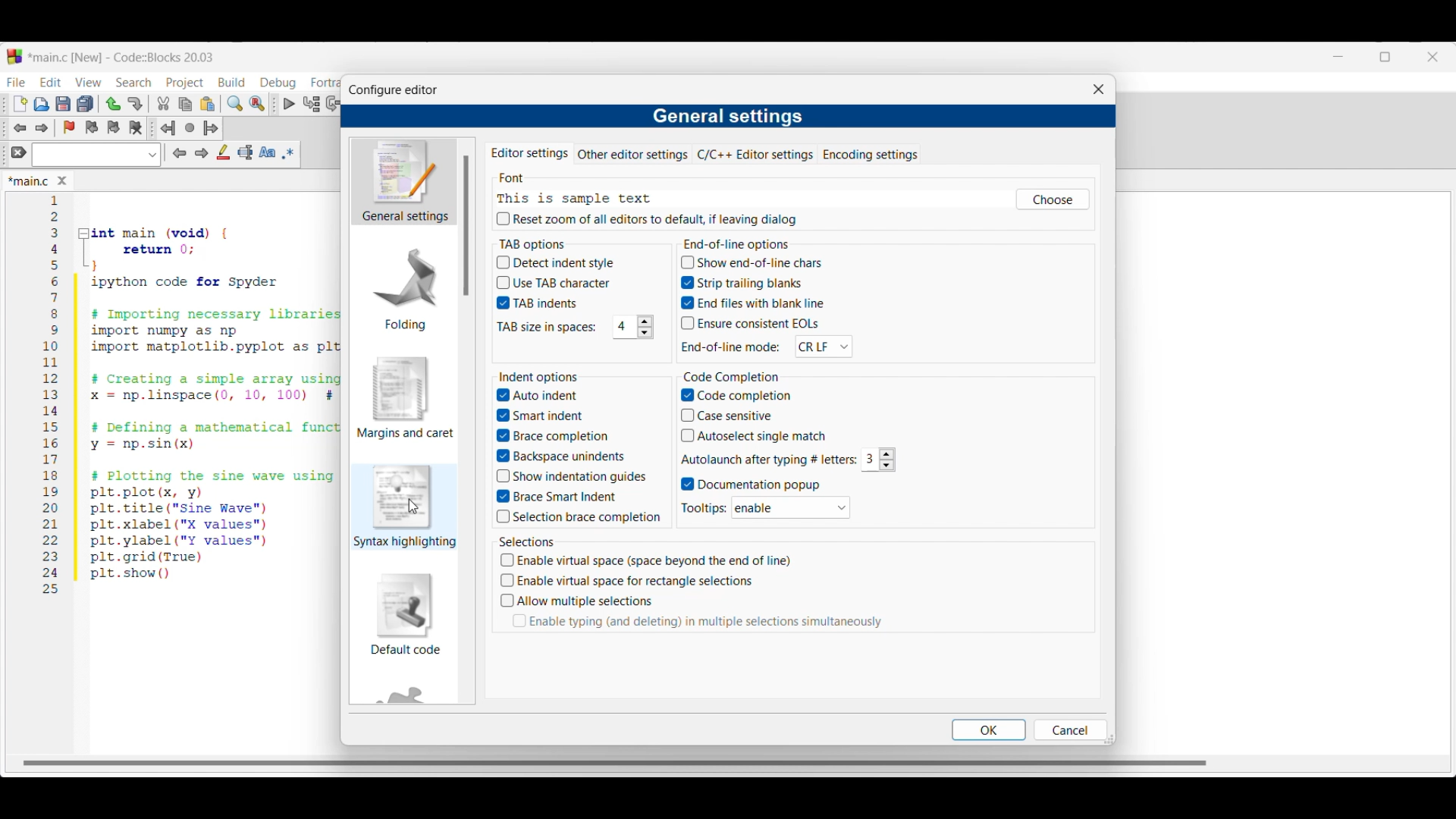 The image size is (1456, 819). I want to click on Indicates Tooltip options, so click(704, 509).